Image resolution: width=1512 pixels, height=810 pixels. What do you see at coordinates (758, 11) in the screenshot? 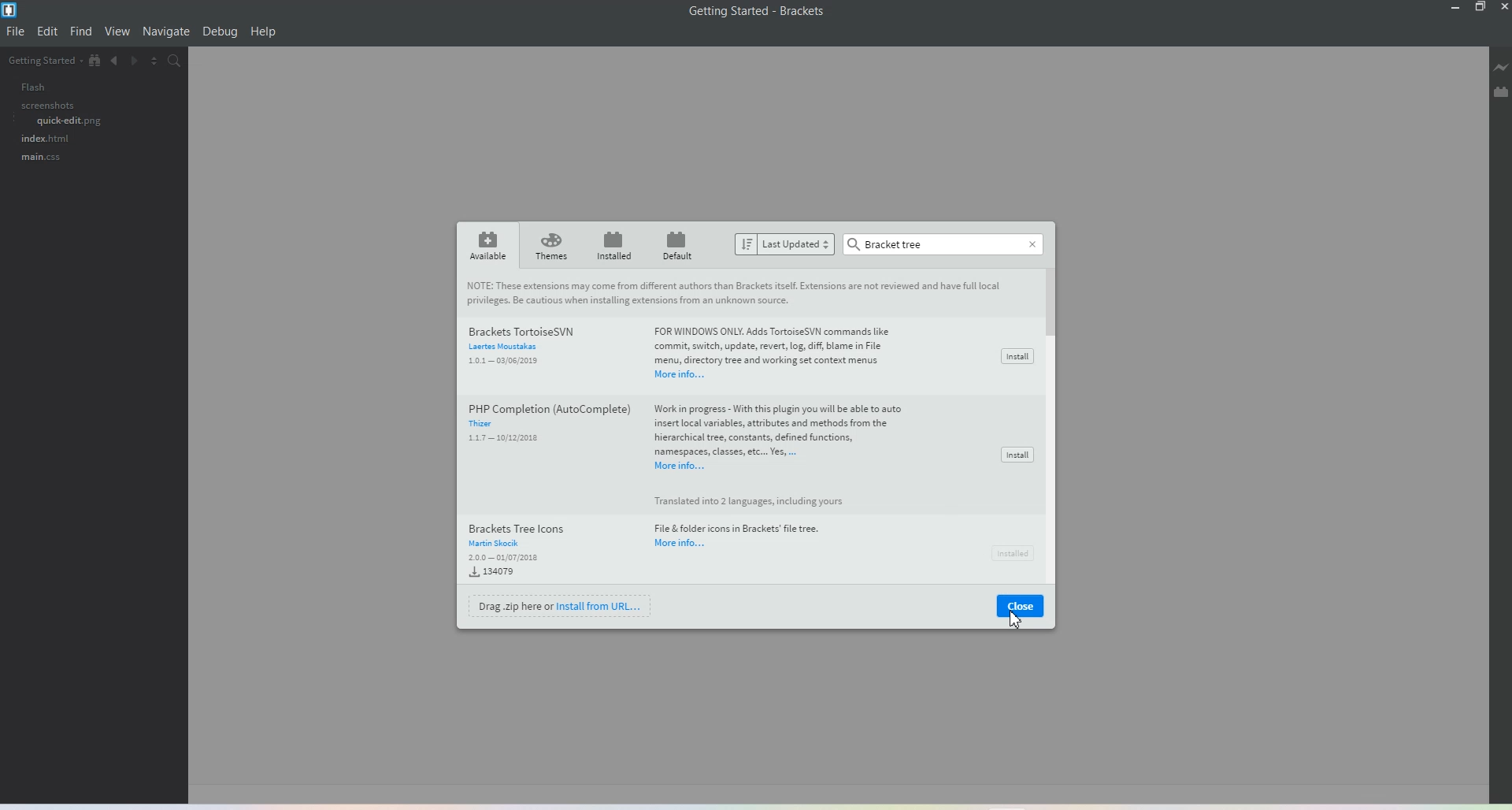
I see `Text` at bounding box center [758, 11].